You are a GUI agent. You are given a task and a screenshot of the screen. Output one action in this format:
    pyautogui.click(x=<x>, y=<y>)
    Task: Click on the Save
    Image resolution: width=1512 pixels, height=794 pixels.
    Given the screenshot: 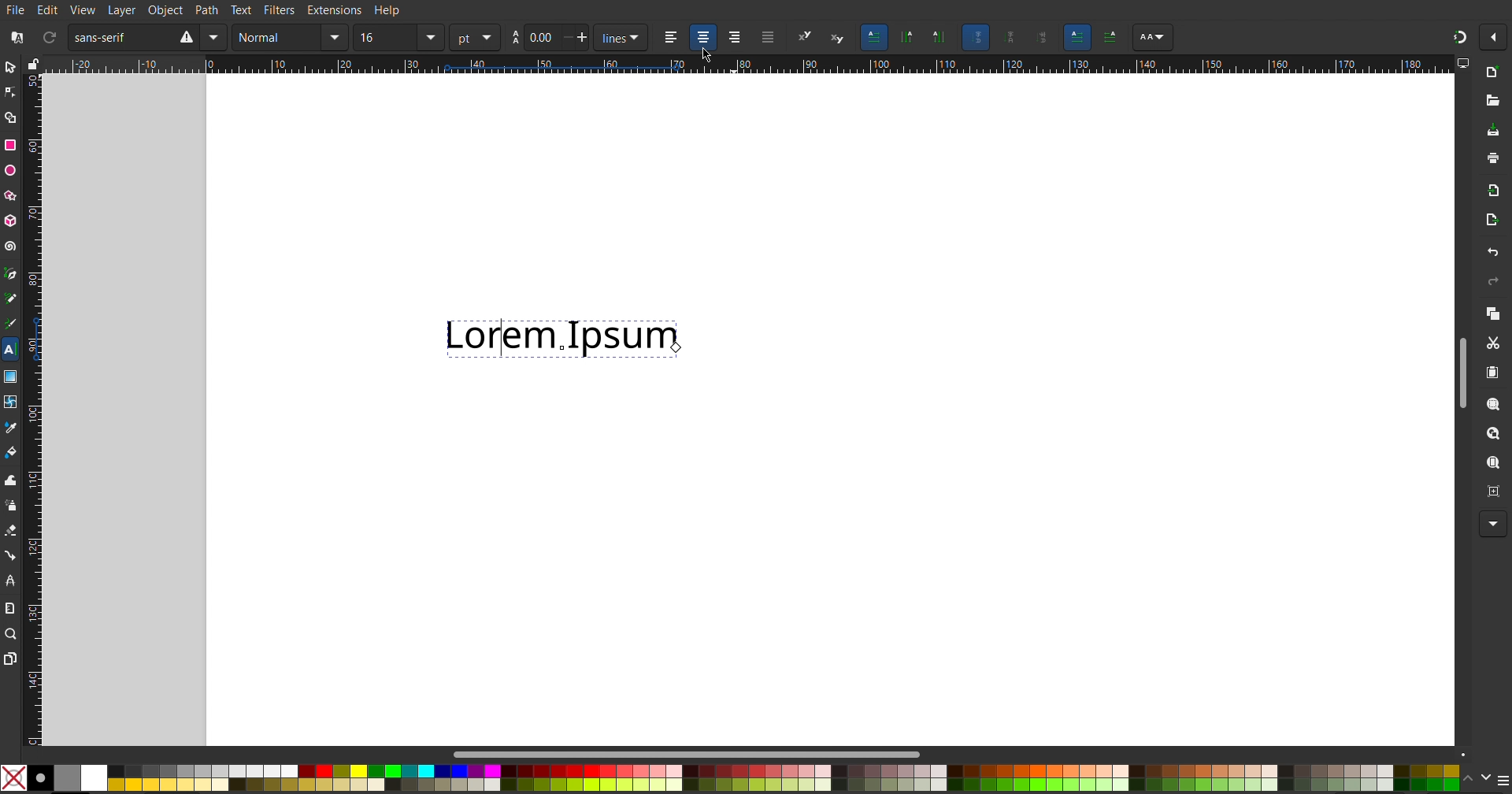 What is the action you would take?
    pyautogui.click(x=1495, y=130)
    